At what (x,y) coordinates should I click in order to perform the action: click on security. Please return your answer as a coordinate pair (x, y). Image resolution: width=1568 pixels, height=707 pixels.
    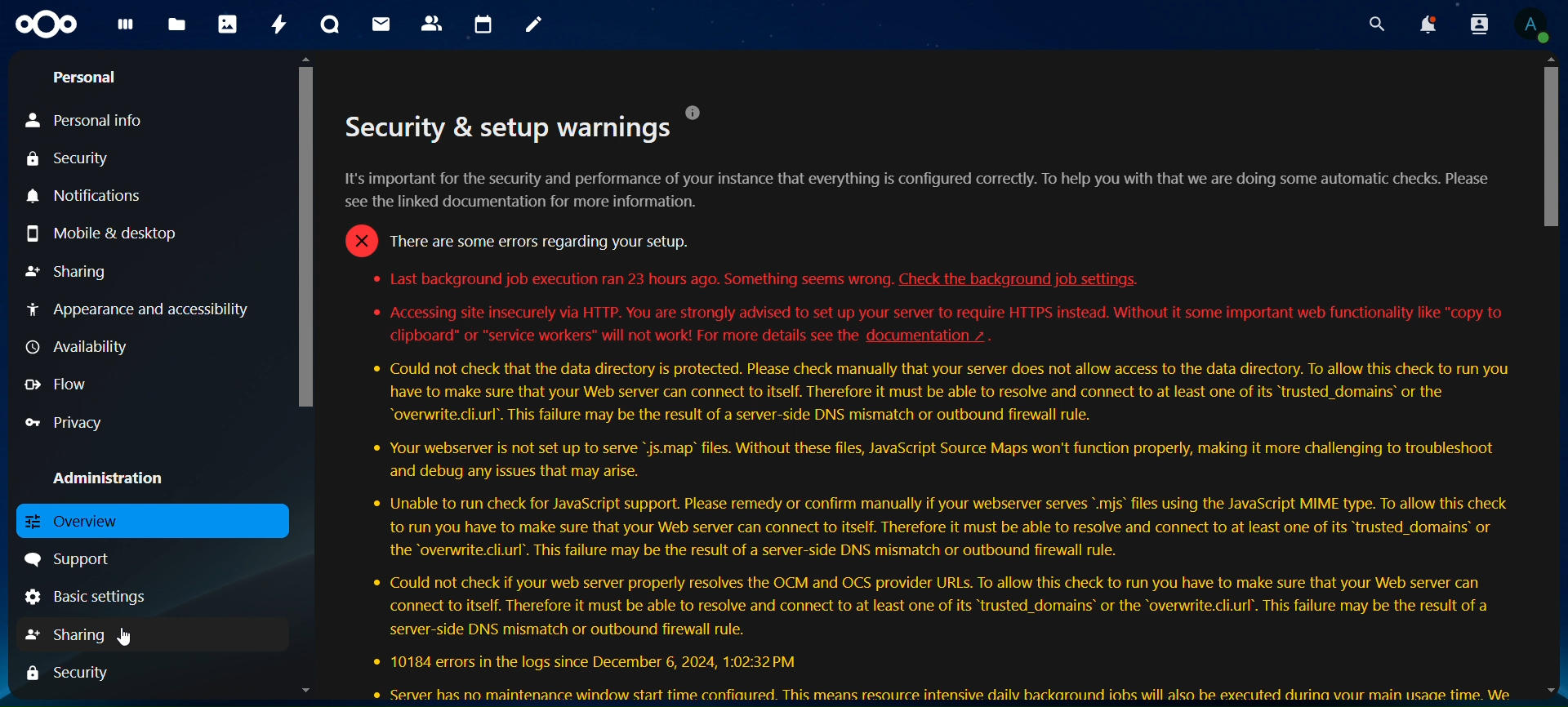
    Looking at the image, I should click on (70, 158).